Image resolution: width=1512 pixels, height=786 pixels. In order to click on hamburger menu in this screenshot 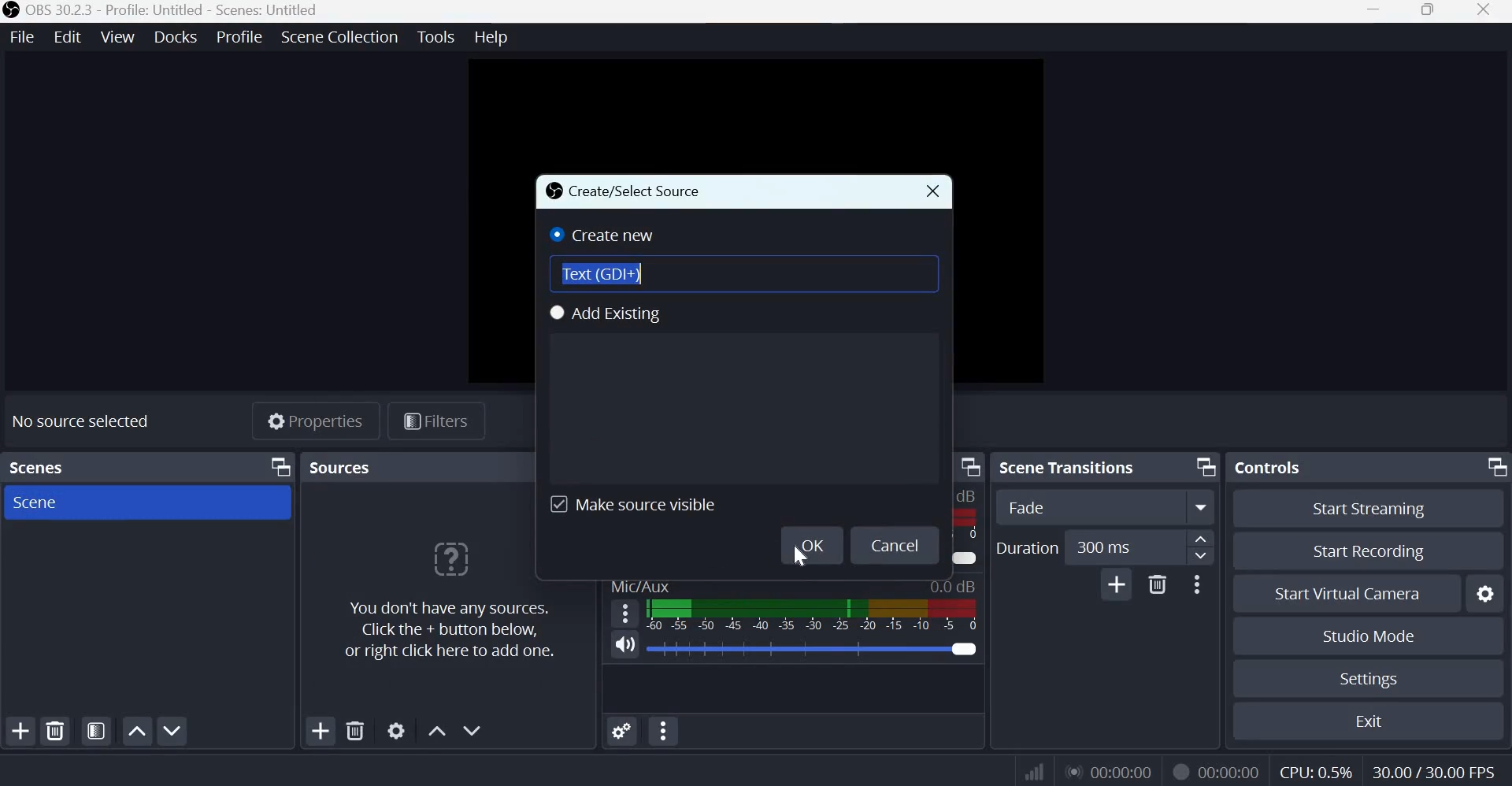, I will do `click(624, 614)`.